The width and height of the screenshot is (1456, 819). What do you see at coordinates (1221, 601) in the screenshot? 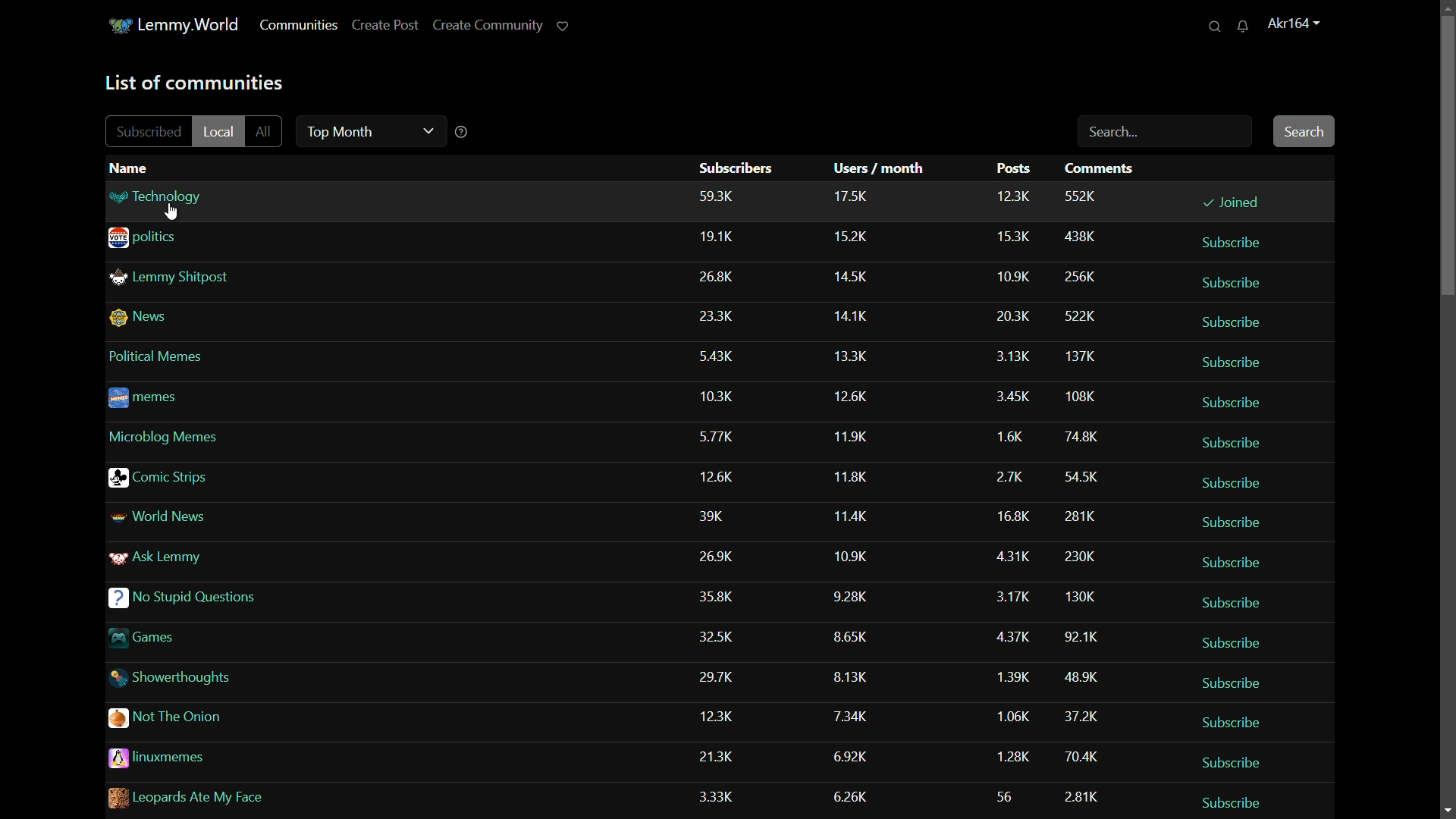
I see `subscribe/unsubscribe` at bounding box center [1221, 601].